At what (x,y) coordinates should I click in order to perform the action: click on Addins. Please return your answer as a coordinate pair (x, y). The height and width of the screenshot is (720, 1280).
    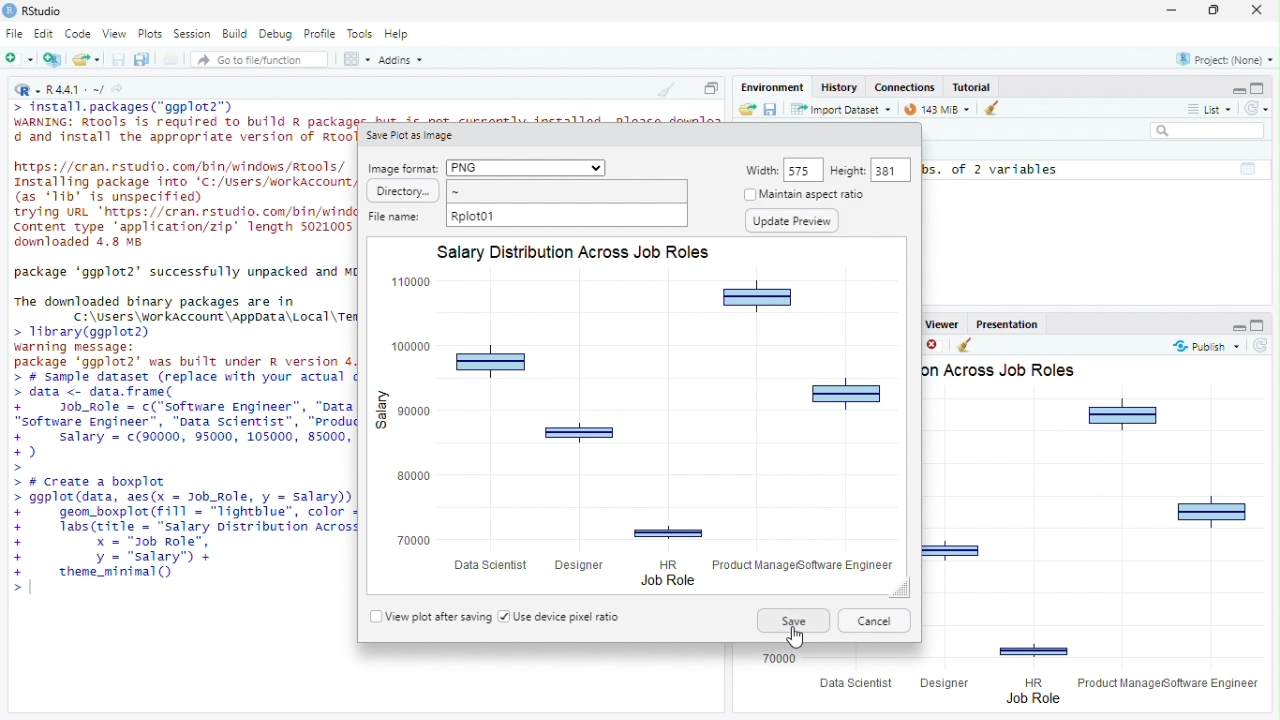
    Looking at the image, I should click on (400, 58).